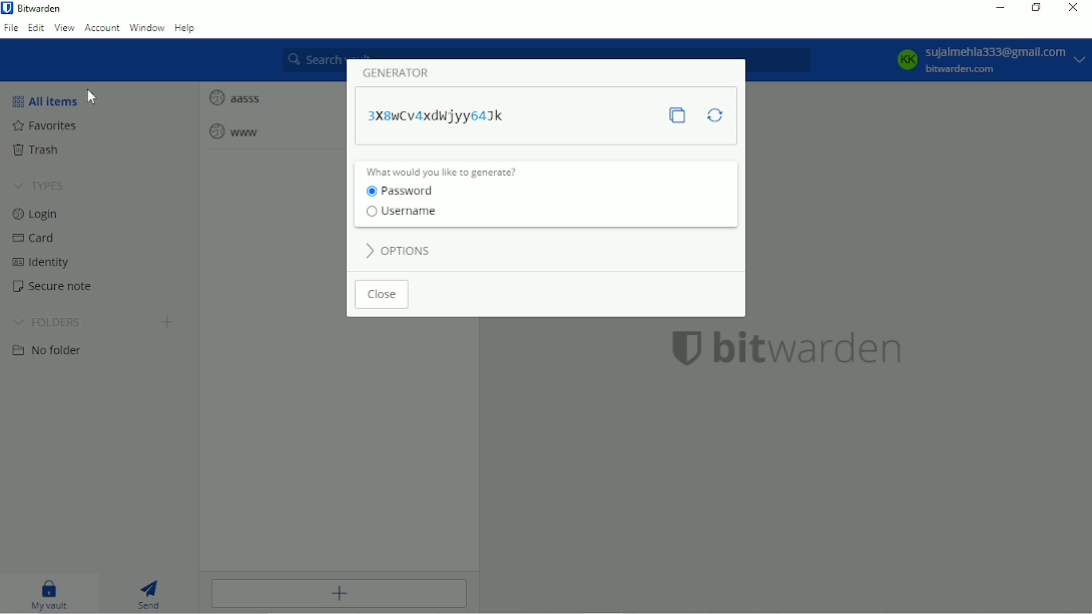  Describe the element at coordinates (988, 58) in the screenshot. I see `KK Sujalmehla333@gmail.com   bitwarden.com` at that location.